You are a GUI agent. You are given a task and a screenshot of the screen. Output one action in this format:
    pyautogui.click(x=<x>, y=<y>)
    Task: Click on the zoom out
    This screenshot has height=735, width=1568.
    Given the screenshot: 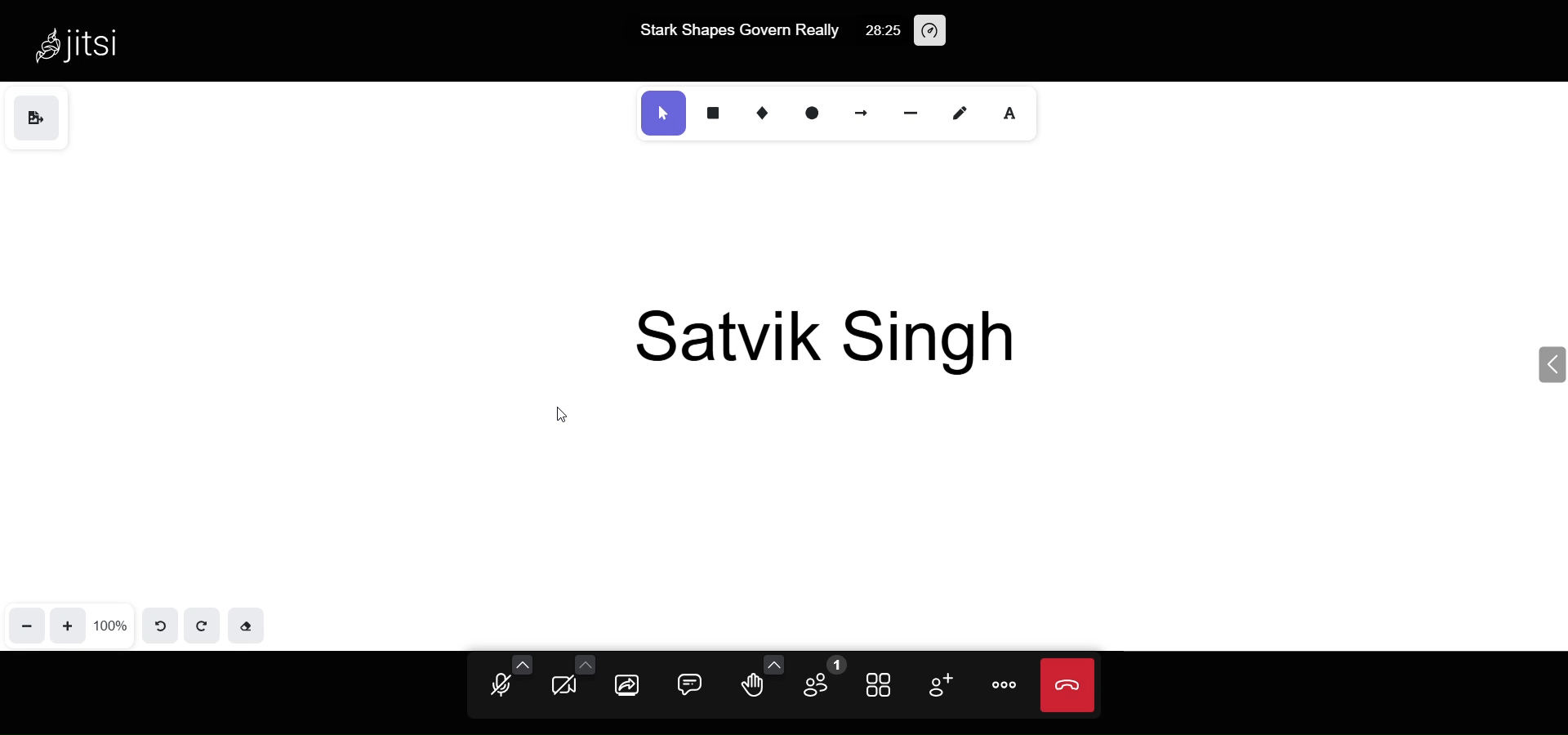 What is the action you would take?
    pyautogui.click(x=28, y=625)
    